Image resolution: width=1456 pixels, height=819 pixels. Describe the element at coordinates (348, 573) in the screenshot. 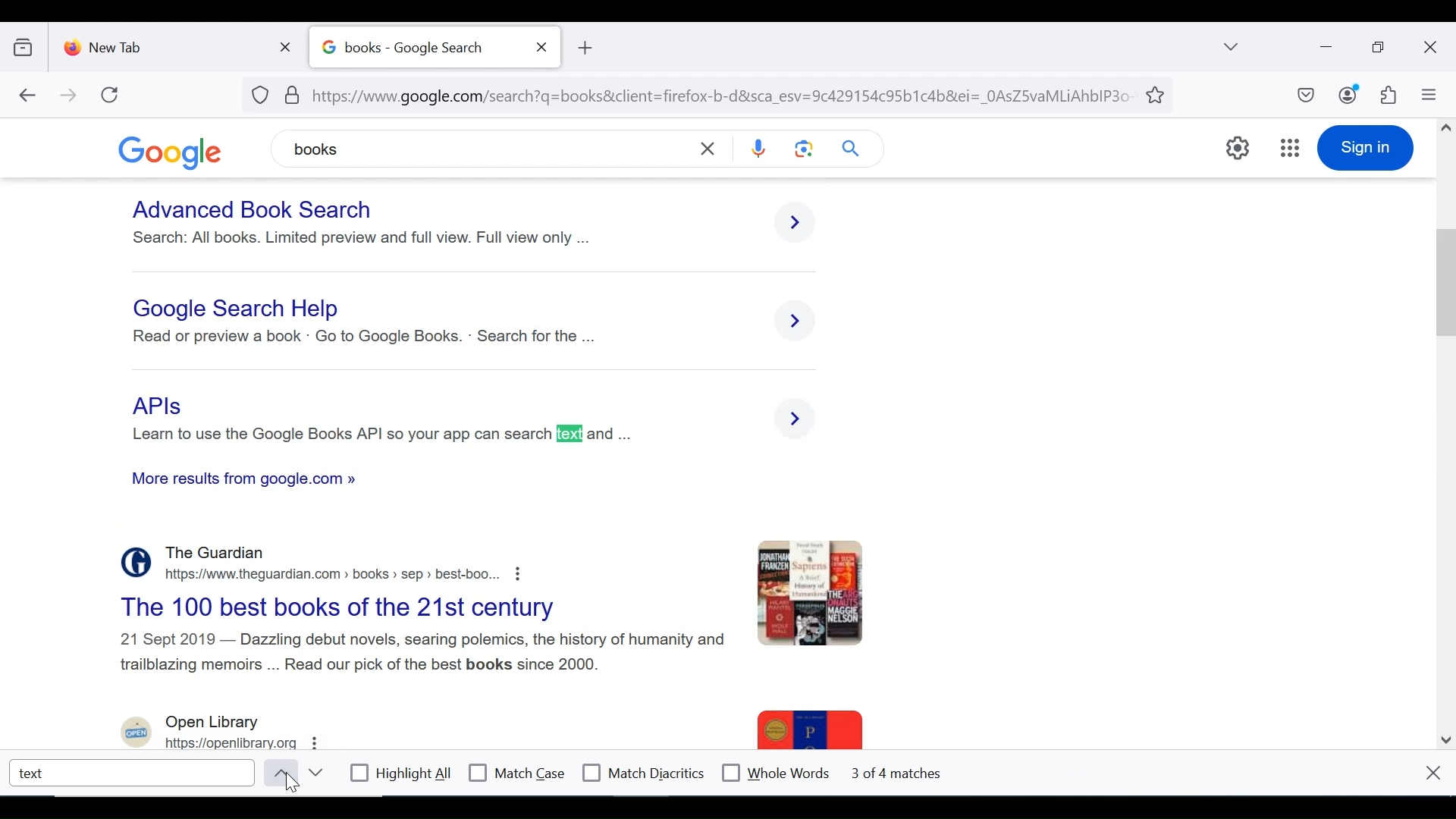

I see `https://www.guardian.com>books>sep>best-books` at that location.